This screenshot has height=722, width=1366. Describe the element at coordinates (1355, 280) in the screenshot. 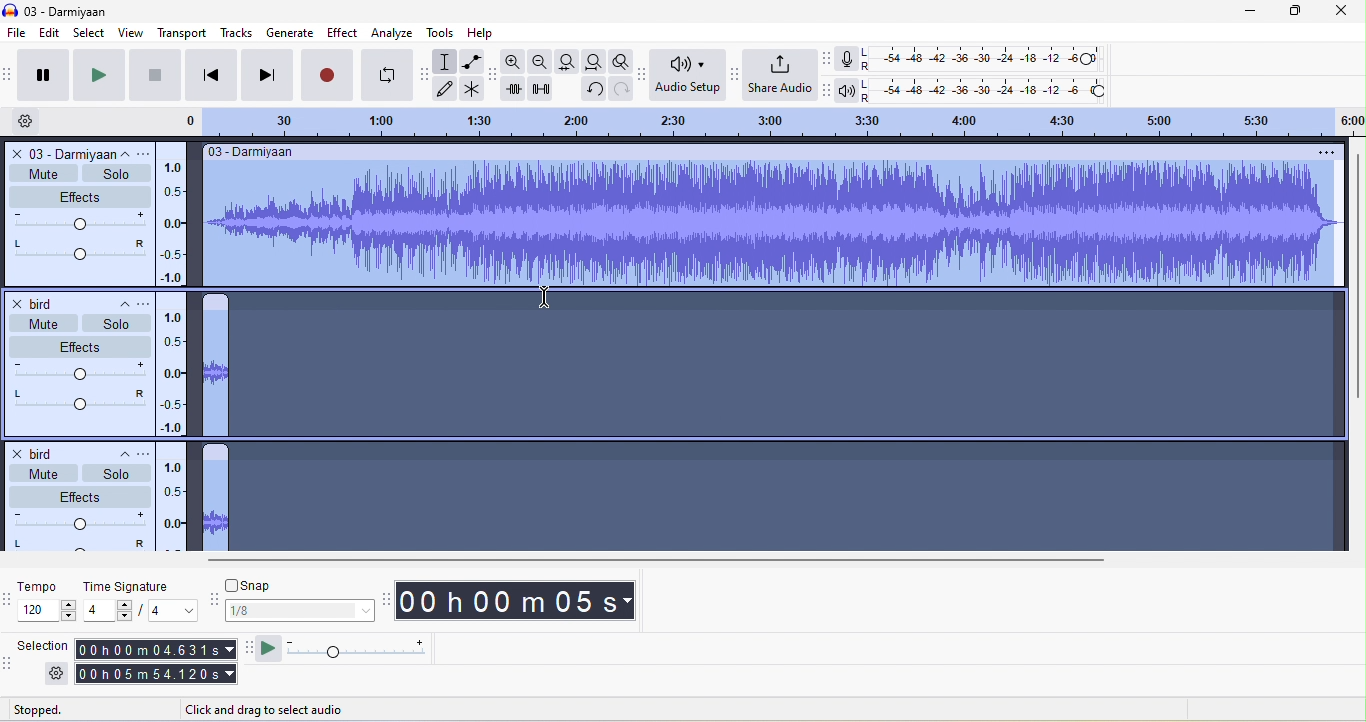

I see `vertical scroll bar` at that location.